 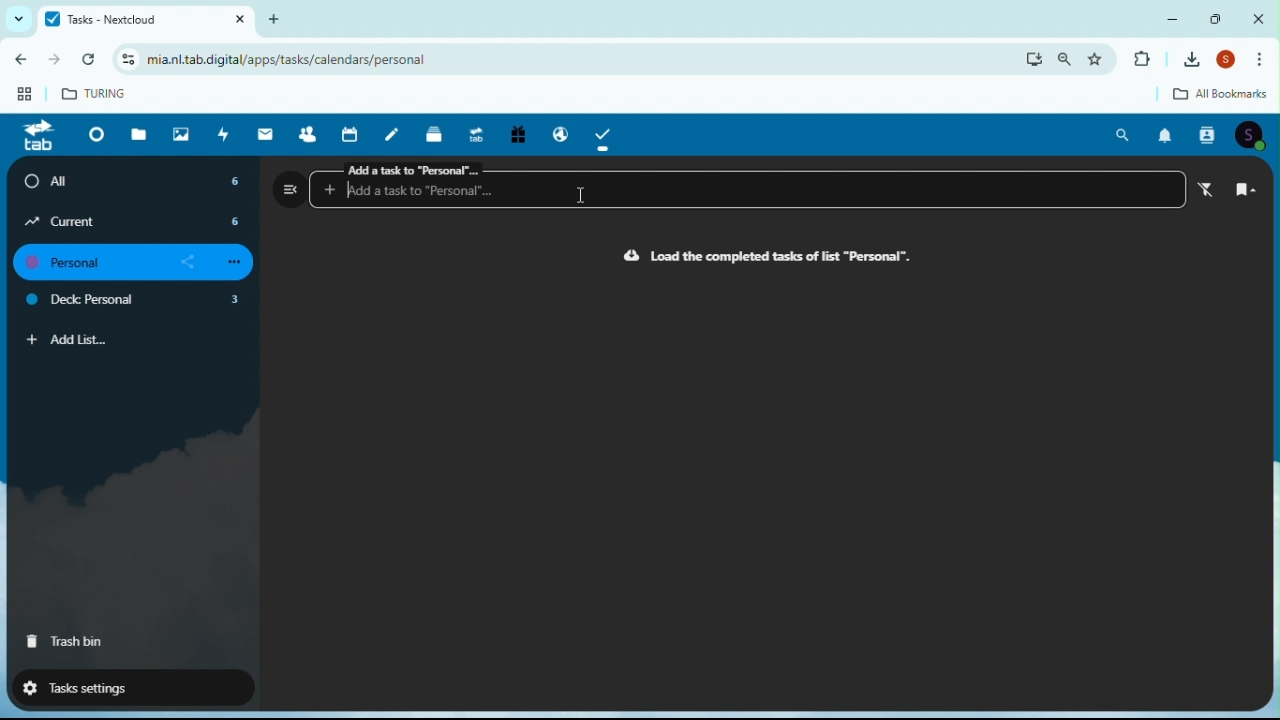 I want to click on Moor options, so click(x=1265, y=60).